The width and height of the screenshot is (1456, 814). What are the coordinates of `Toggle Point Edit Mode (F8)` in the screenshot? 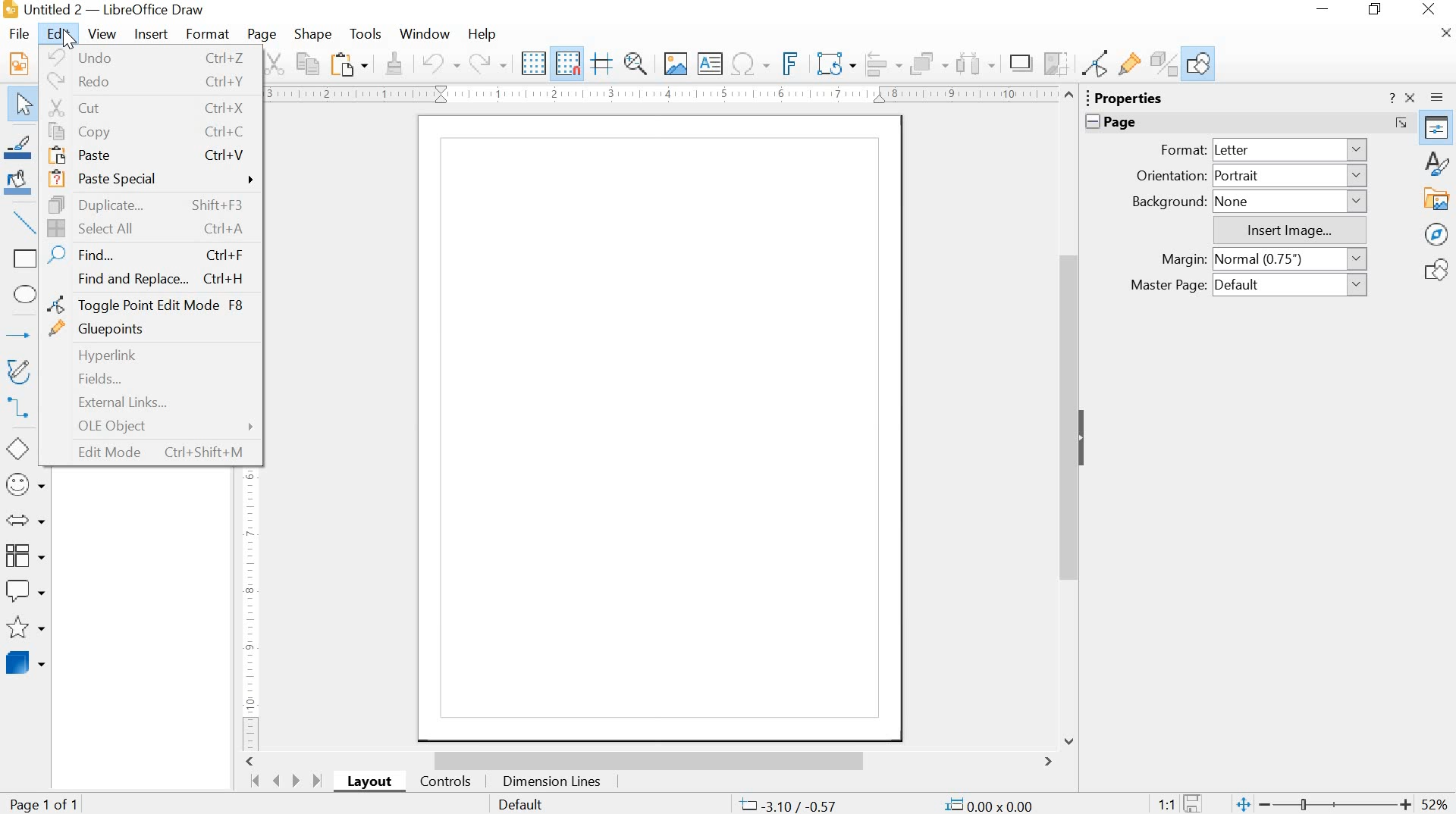 It's located at (1097, 63).